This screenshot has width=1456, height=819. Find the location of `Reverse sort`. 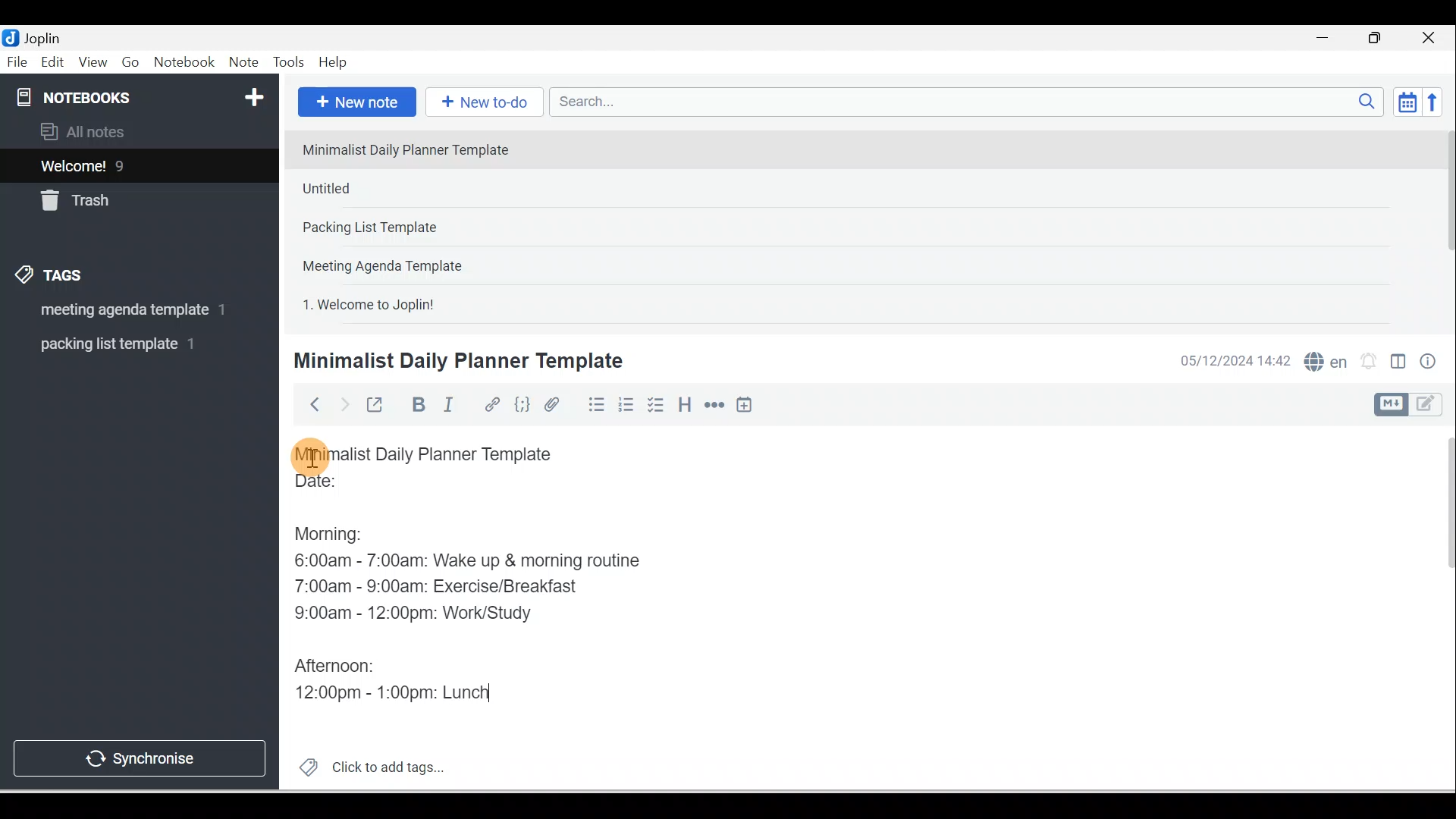

Reverse sort is located at coordinates (1437, 102).